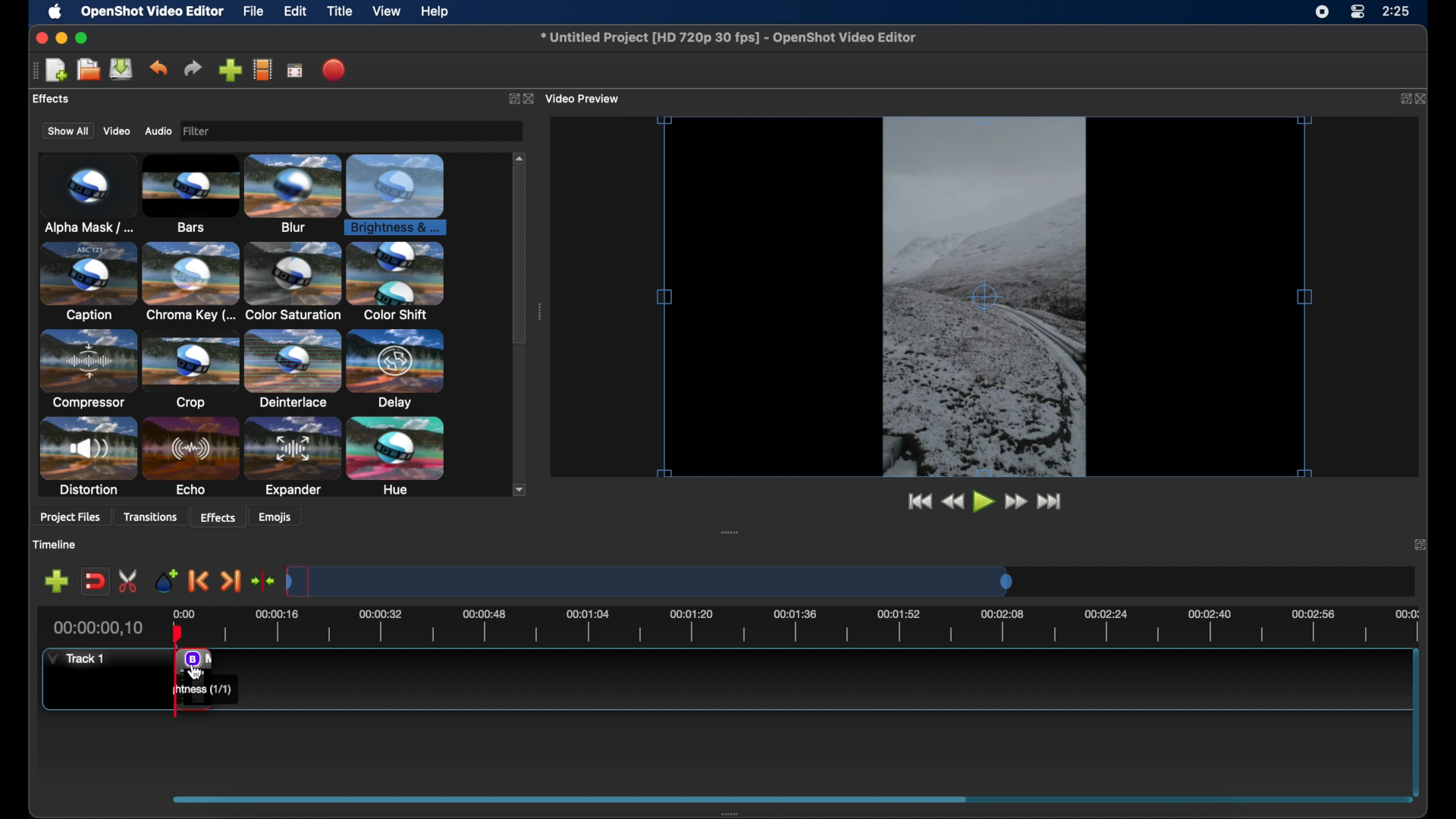 The width and height of the screenshot is (1456, 819). I want to click on 0.00, so click(185, 611).